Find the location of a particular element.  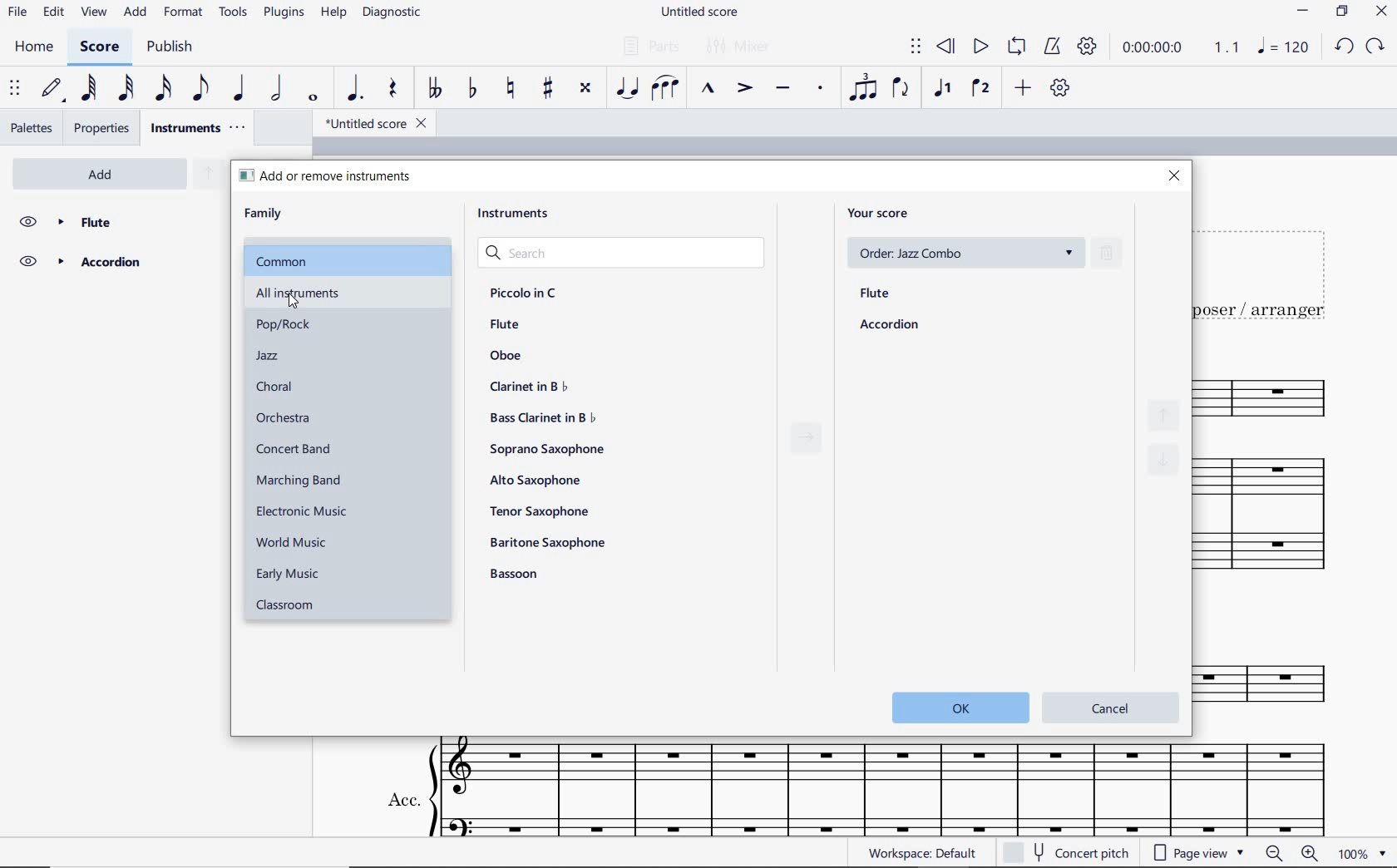

rest is located at coordinates (392, 89).